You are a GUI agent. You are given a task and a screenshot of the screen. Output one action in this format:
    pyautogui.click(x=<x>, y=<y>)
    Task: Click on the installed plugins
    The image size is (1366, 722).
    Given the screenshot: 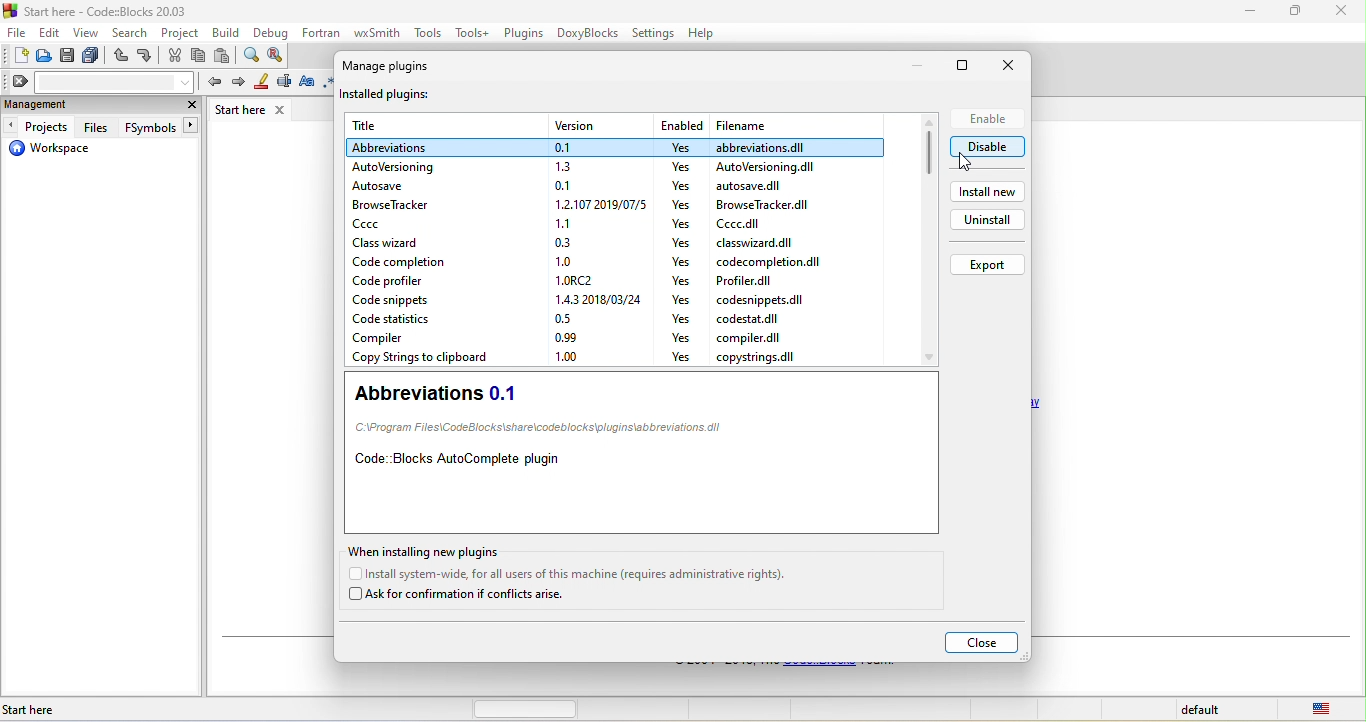 What is the action you would take?
    pyautogui.click(x=415, y=97)
    